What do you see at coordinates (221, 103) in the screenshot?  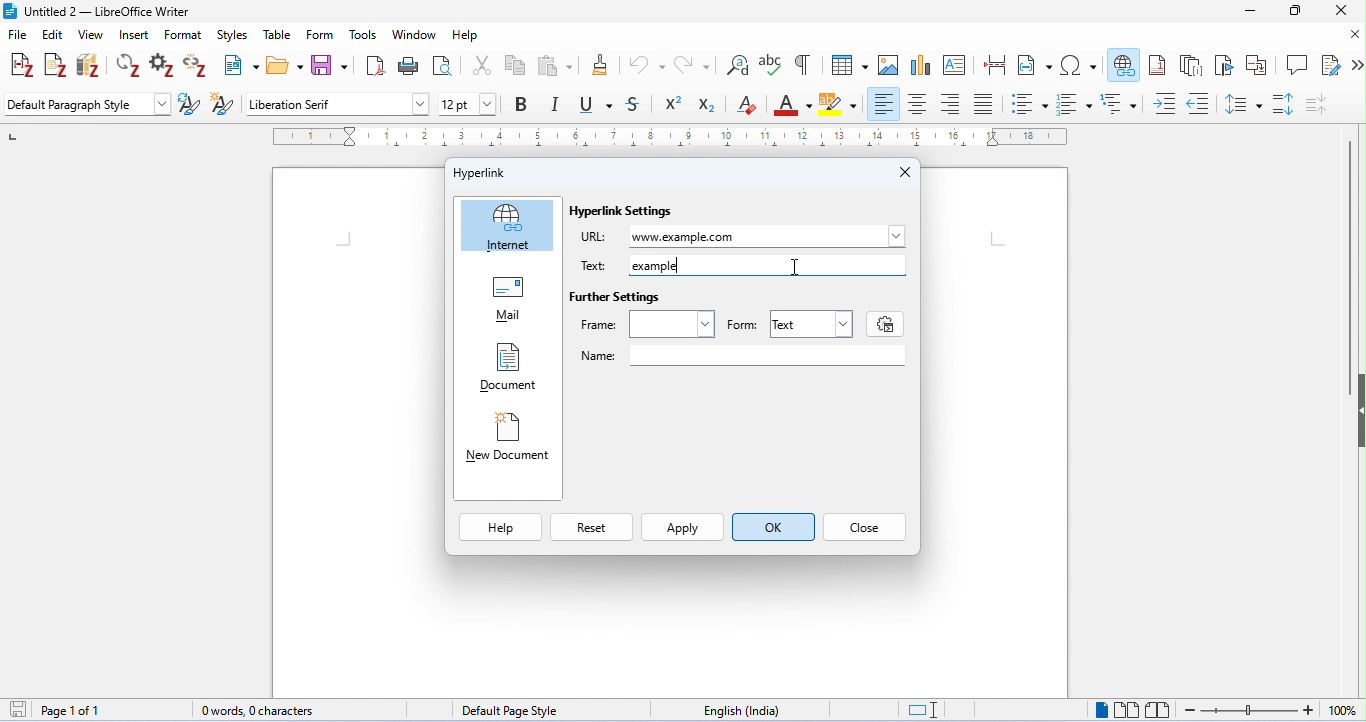 I see `new style from selection` at bounding box center [221, 103].